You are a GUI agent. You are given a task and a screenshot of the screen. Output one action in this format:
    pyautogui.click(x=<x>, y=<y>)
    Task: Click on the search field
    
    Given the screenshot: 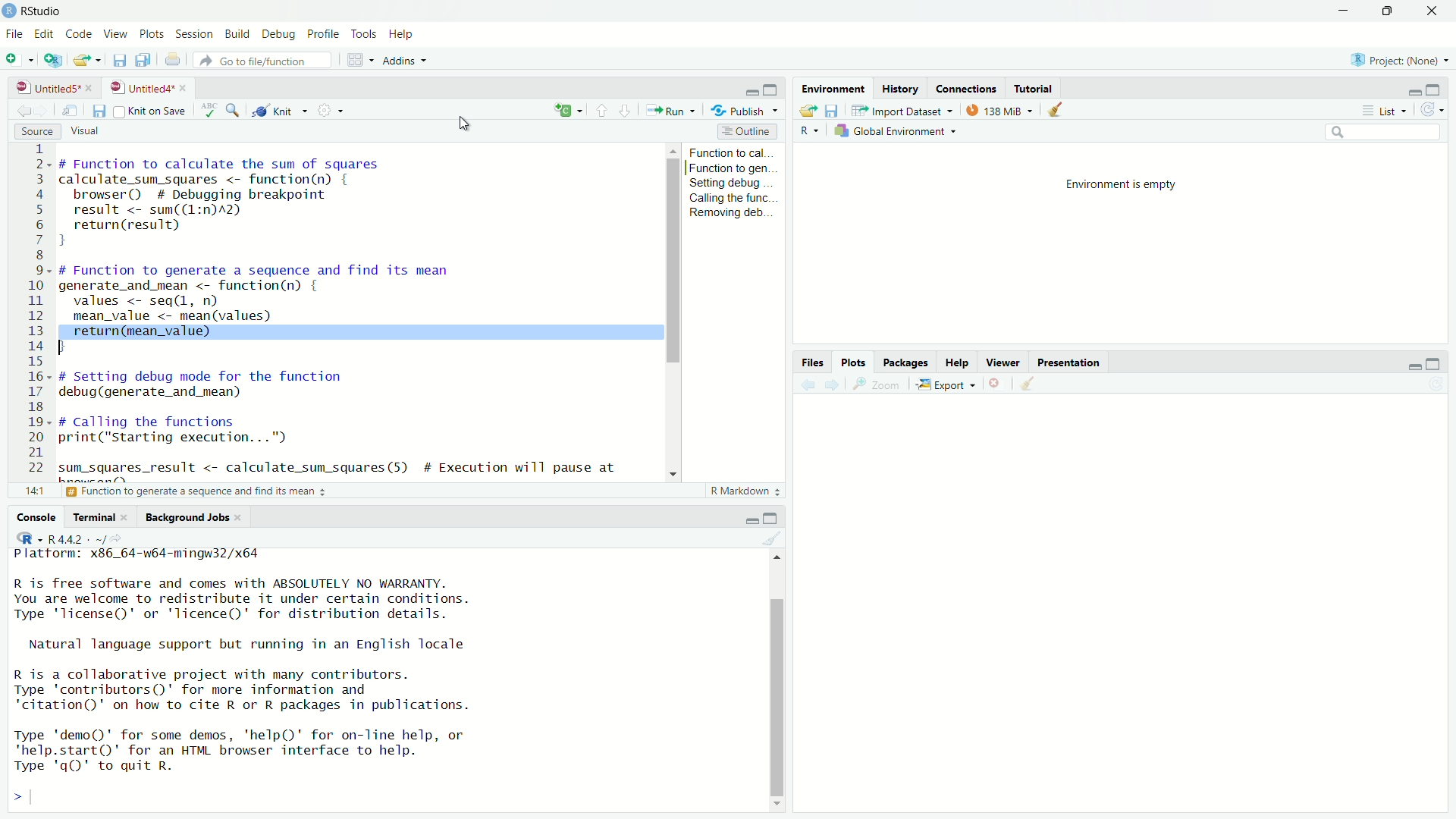 What is the action you would take?
    pyautogui.click(x=1382, y=133)
    